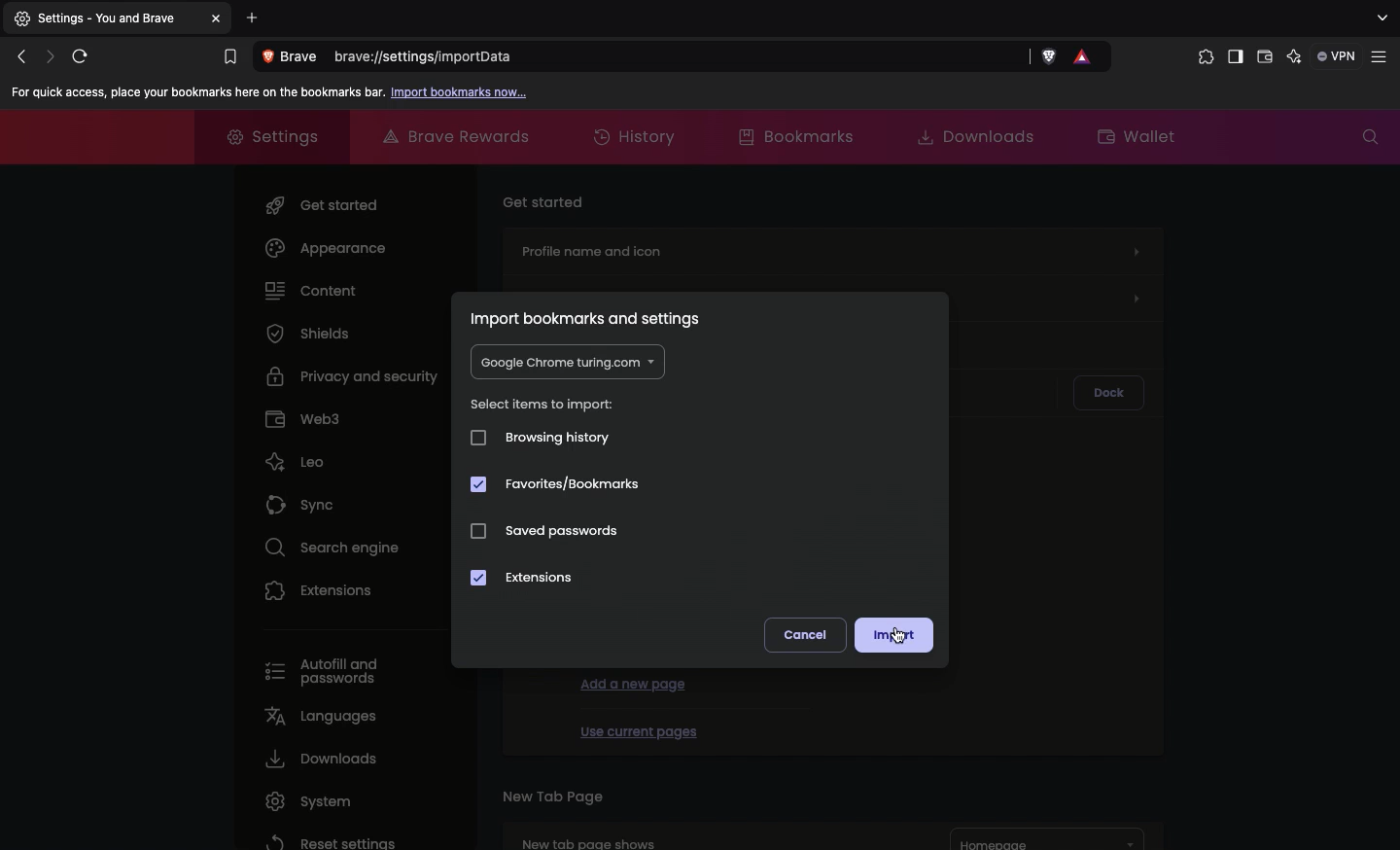 This screenshot has height=850, width=1400. I want to click on Browsing history, so click(540, 437).